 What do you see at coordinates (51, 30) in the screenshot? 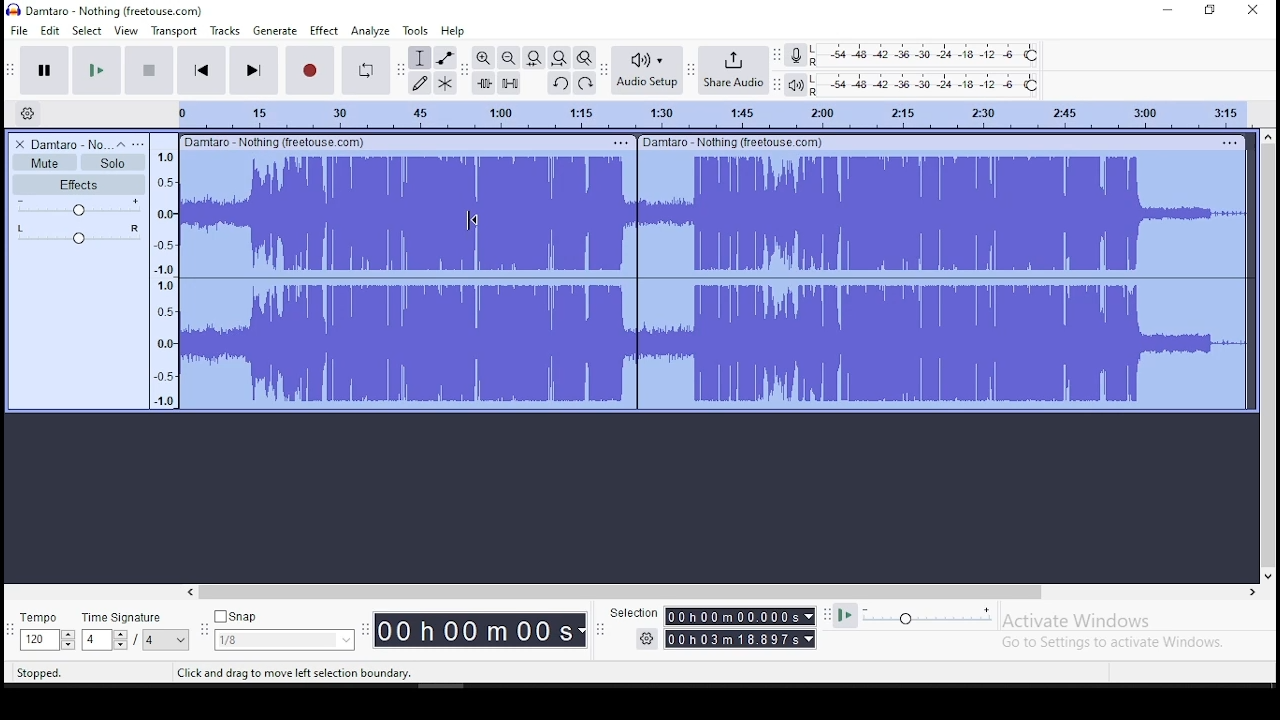
I see `edit` at bounding box center [51, 30].